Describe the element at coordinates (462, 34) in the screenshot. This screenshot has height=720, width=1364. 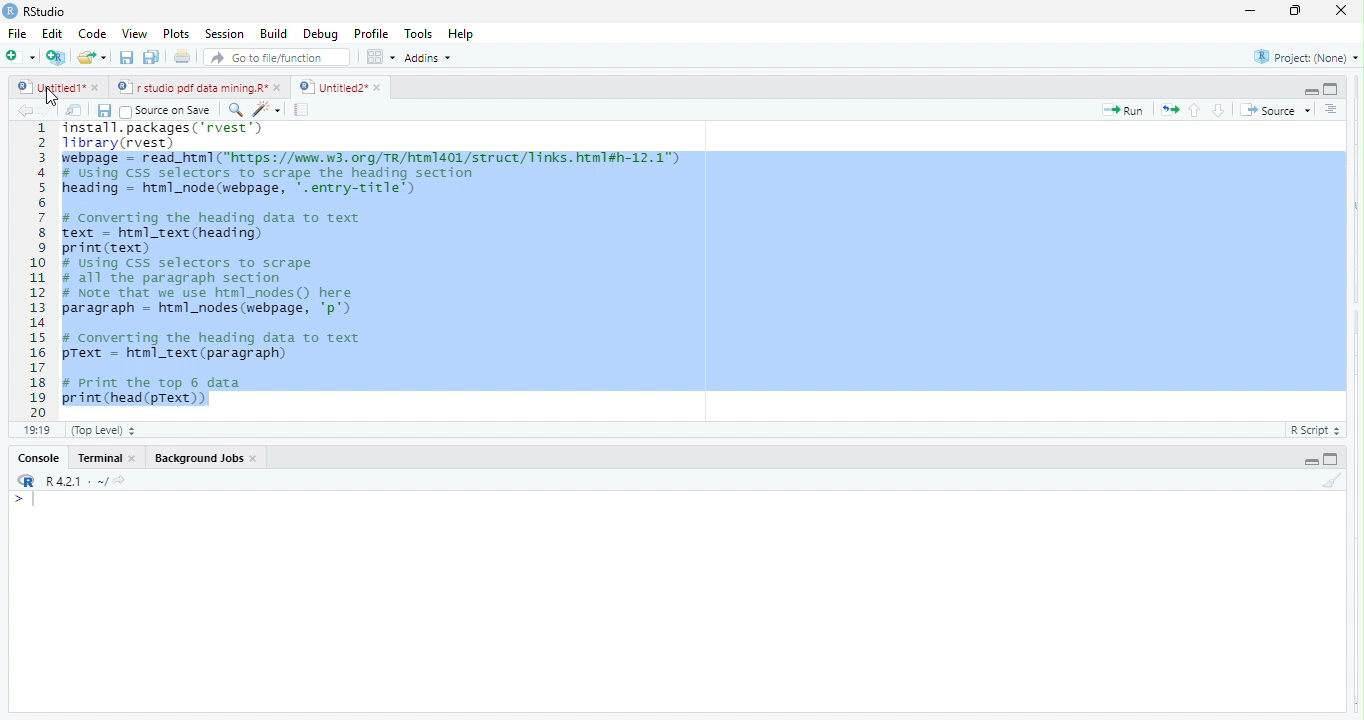
I see `Help` at that location.